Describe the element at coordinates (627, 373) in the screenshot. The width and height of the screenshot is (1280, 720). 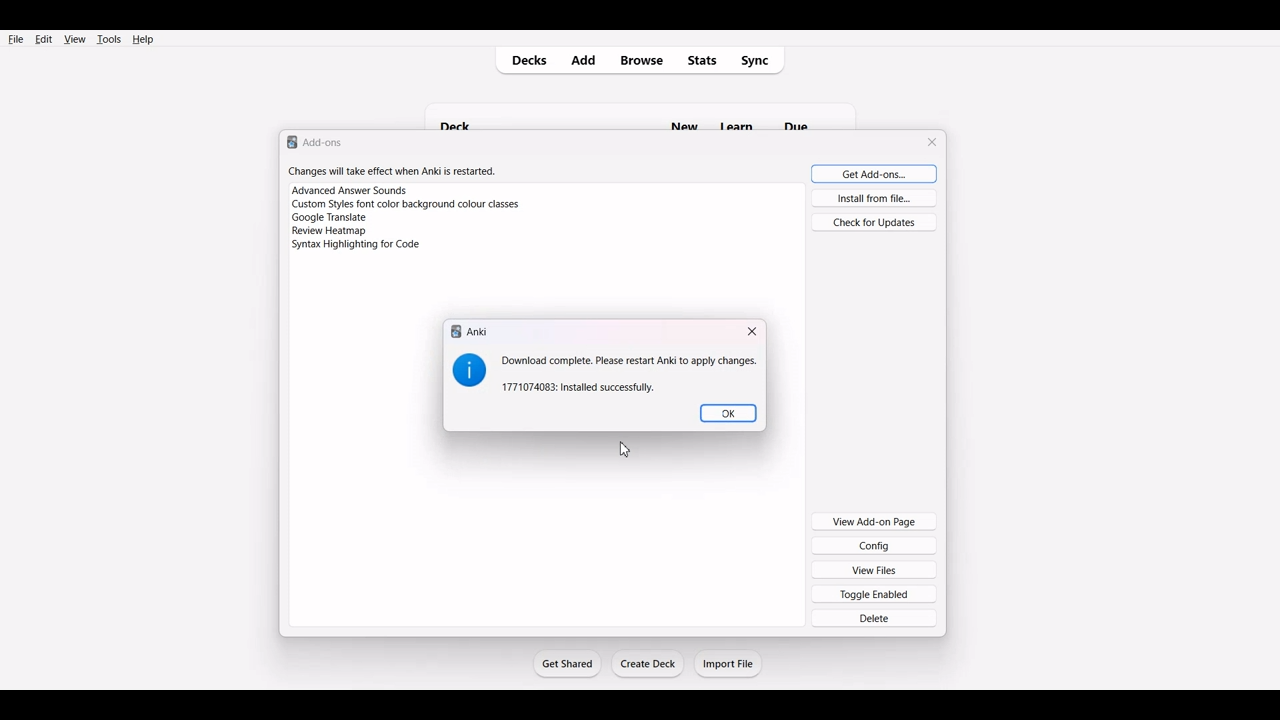
I see `Text 2` at that location.